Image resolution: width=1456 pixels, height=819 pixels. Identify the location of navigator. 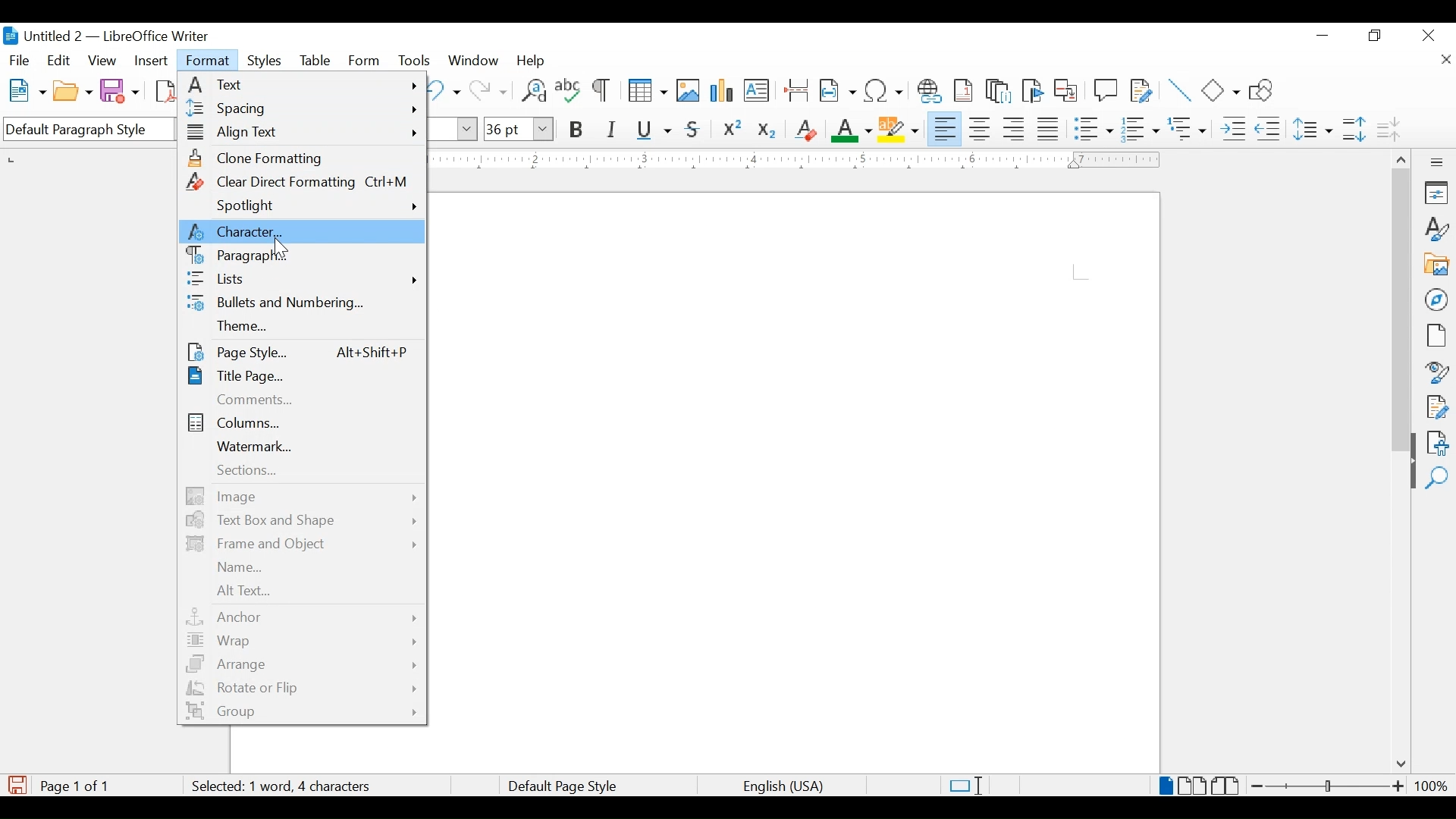
(1438, 300).